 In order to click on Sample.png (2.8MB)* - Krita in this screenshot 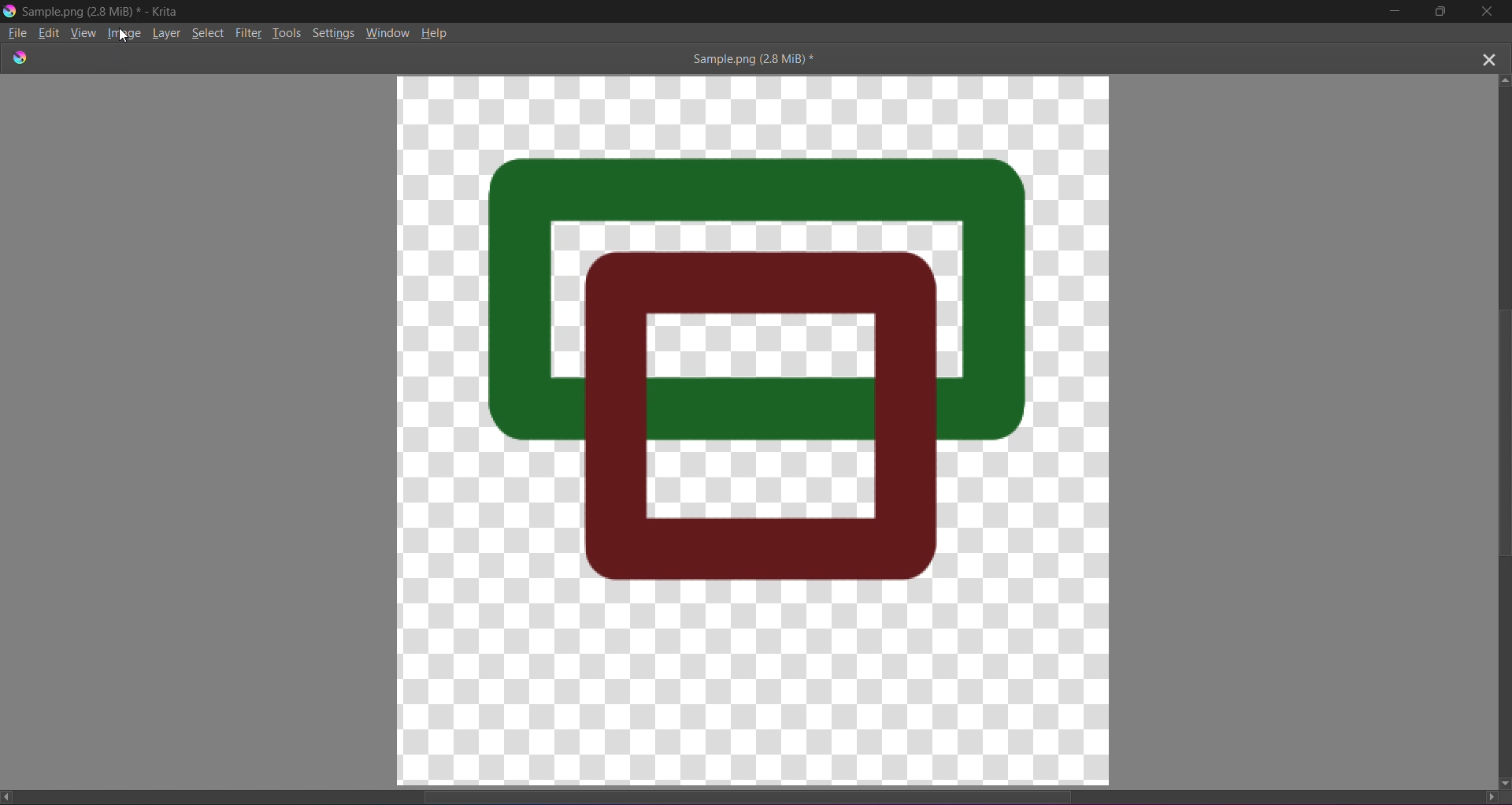, I will do `click(102, 11)`.